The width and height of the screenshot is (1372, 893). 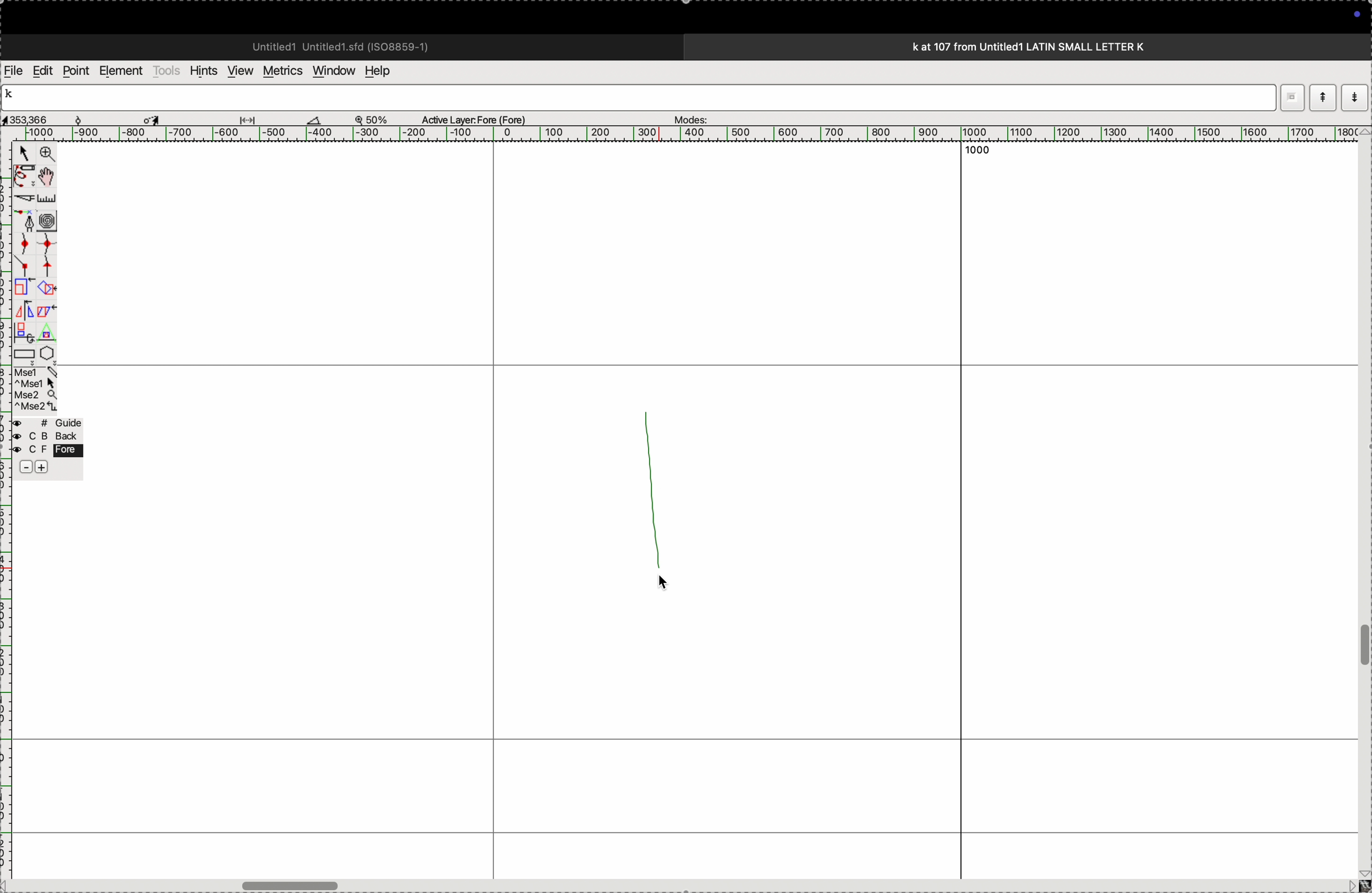 What do you see at coordinates (51, 220) in the screenshot?
I see `circles` at bounding box center [51, 220].